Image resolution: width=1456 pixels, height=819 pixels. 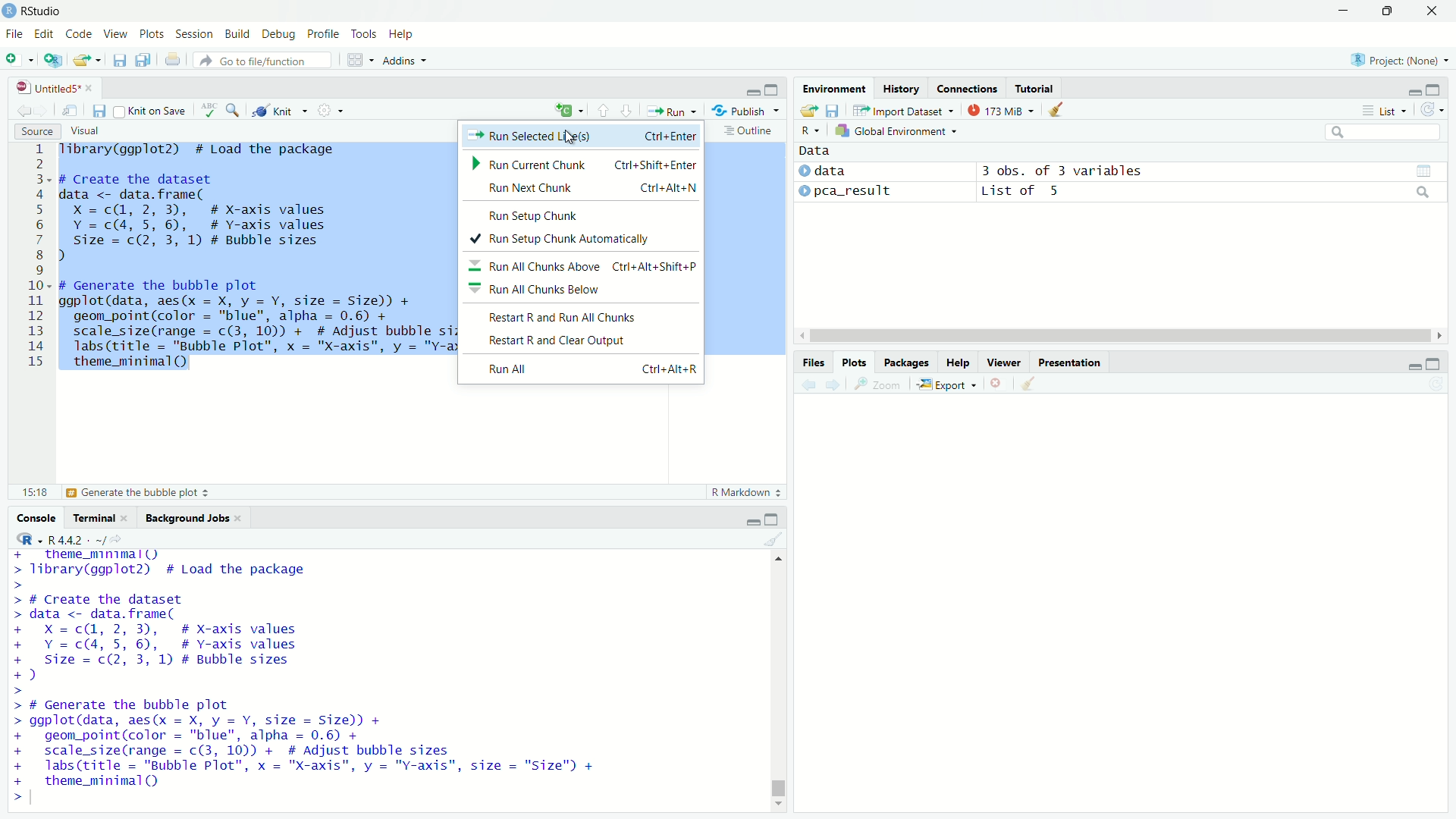 I want to click on save all documents, so click(x=146, y=58).